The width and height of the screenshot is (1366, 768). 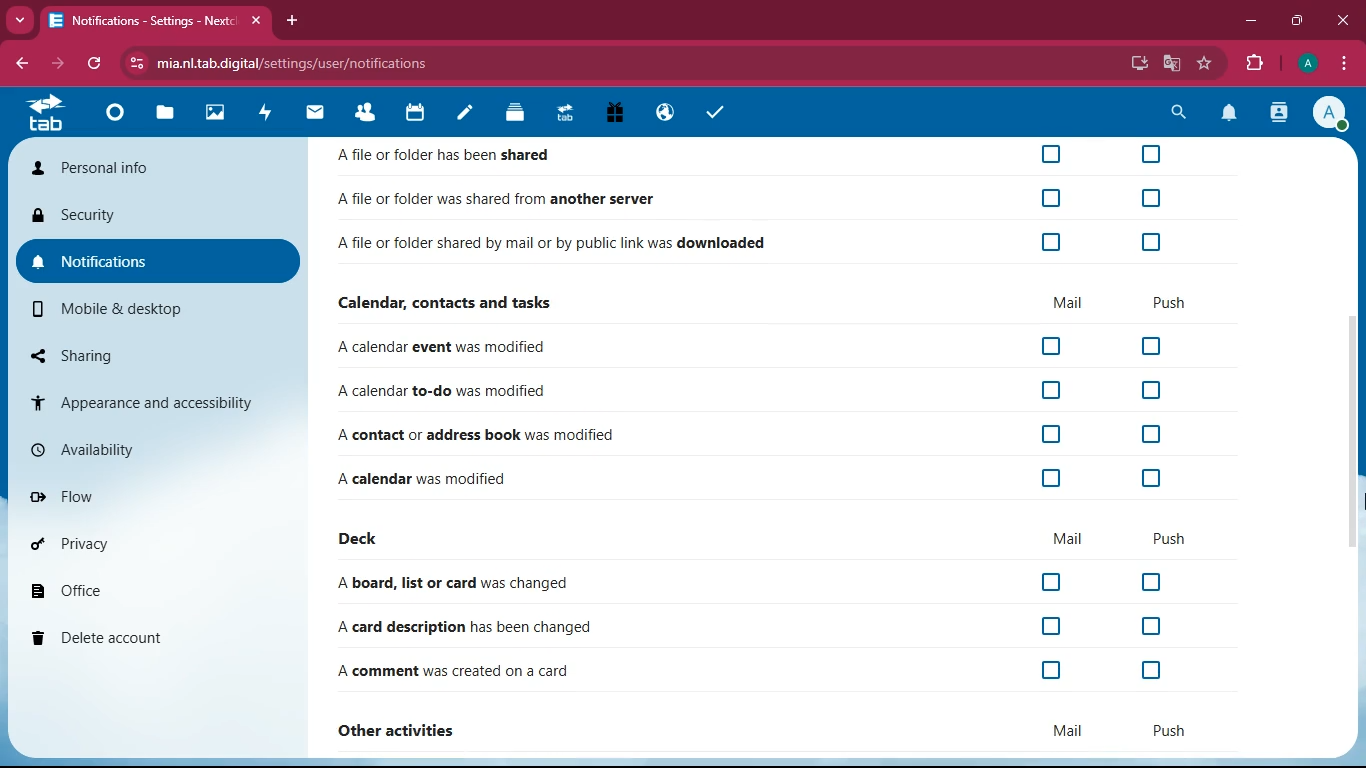 What do you see at coordinates (494, 199) in the screenshot?
I see `Afile or folder was shared from another server` at bounding box center [494, 199].